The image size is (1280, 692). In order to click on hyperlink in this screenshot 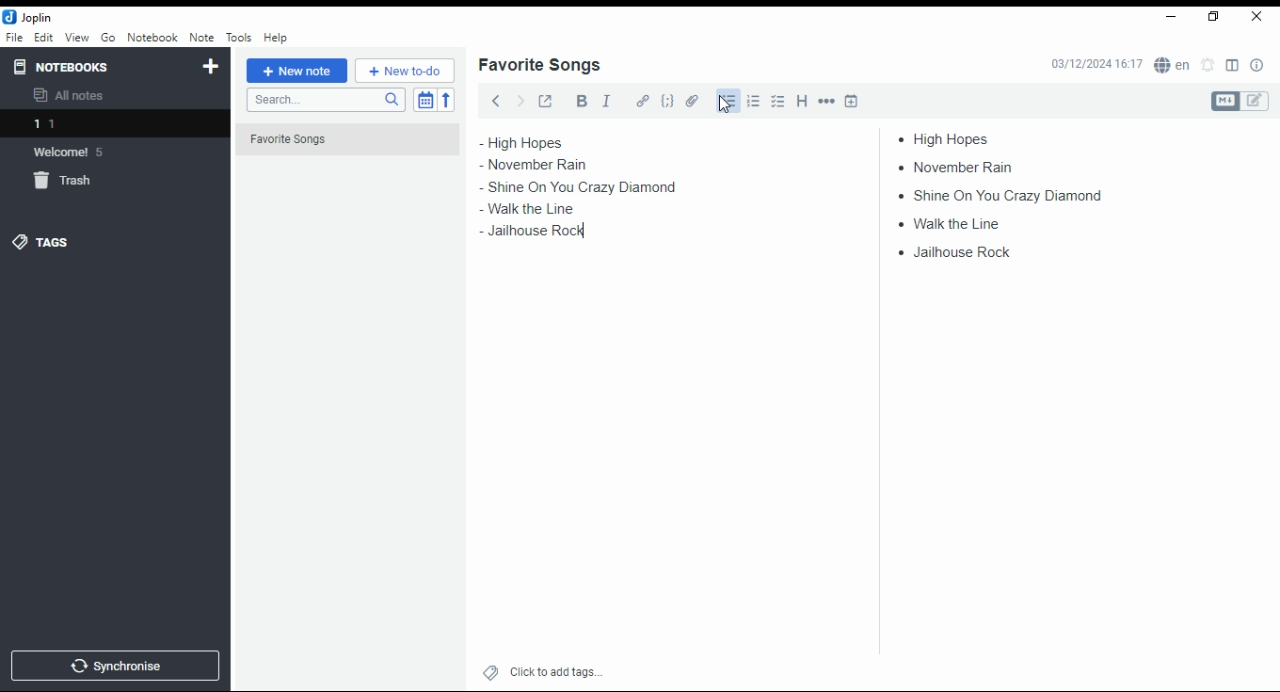, I will do `click(643, 100)`.